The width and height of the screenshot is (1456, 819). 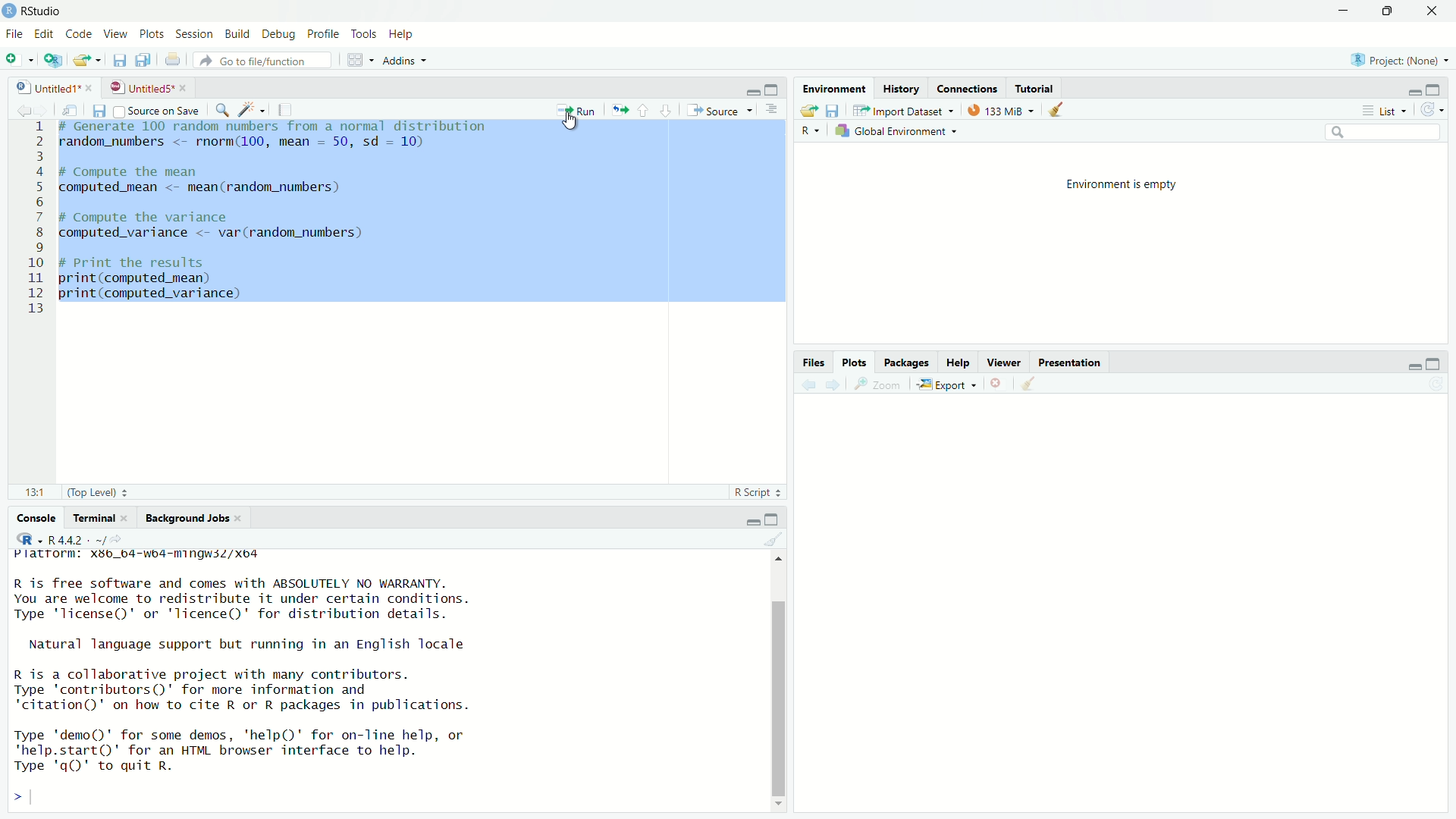 I want to click on tutorial, so click(x=1035, y=88).